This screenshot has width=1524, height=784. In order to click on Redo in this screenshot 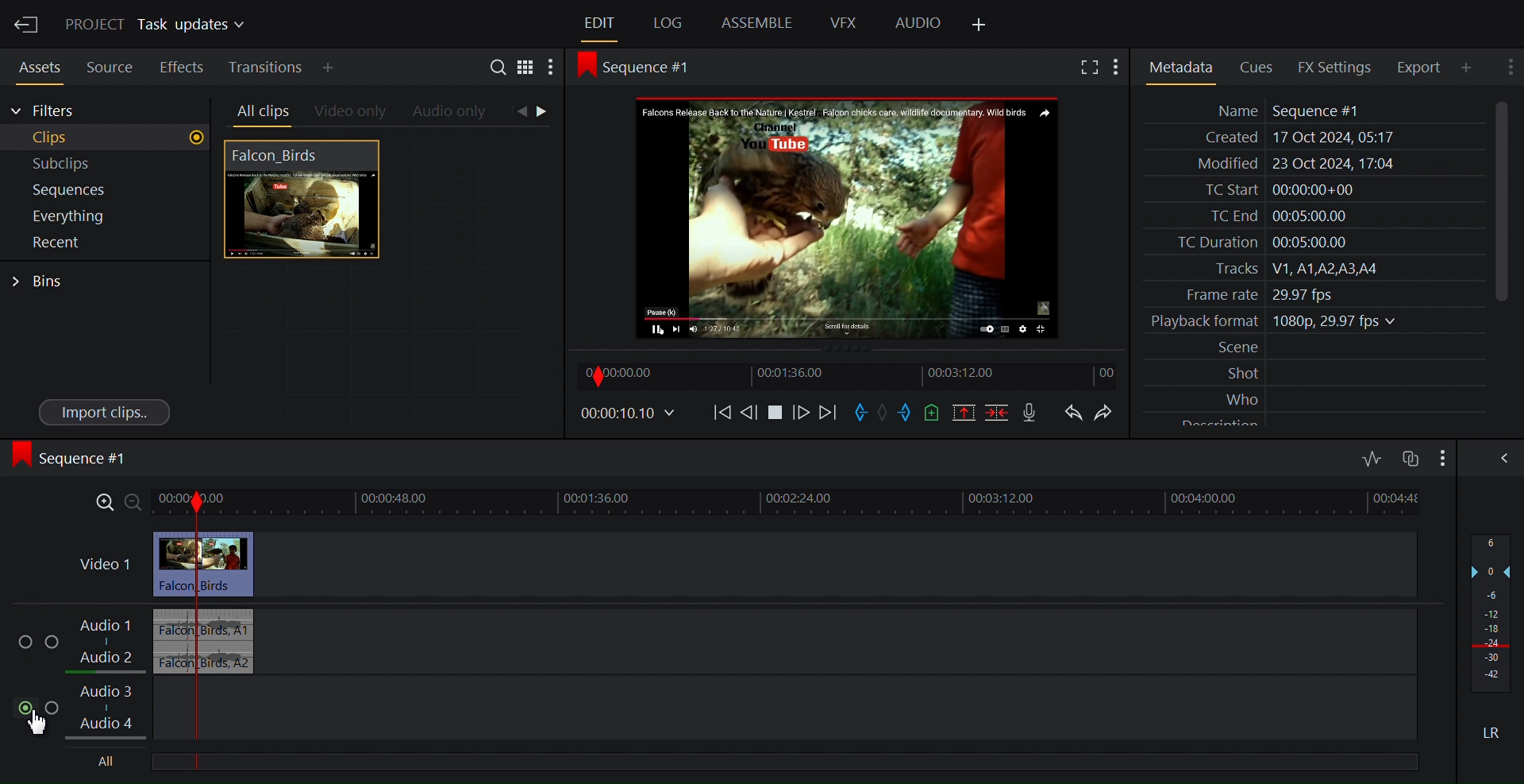, I will do `click(1109, 413)`.